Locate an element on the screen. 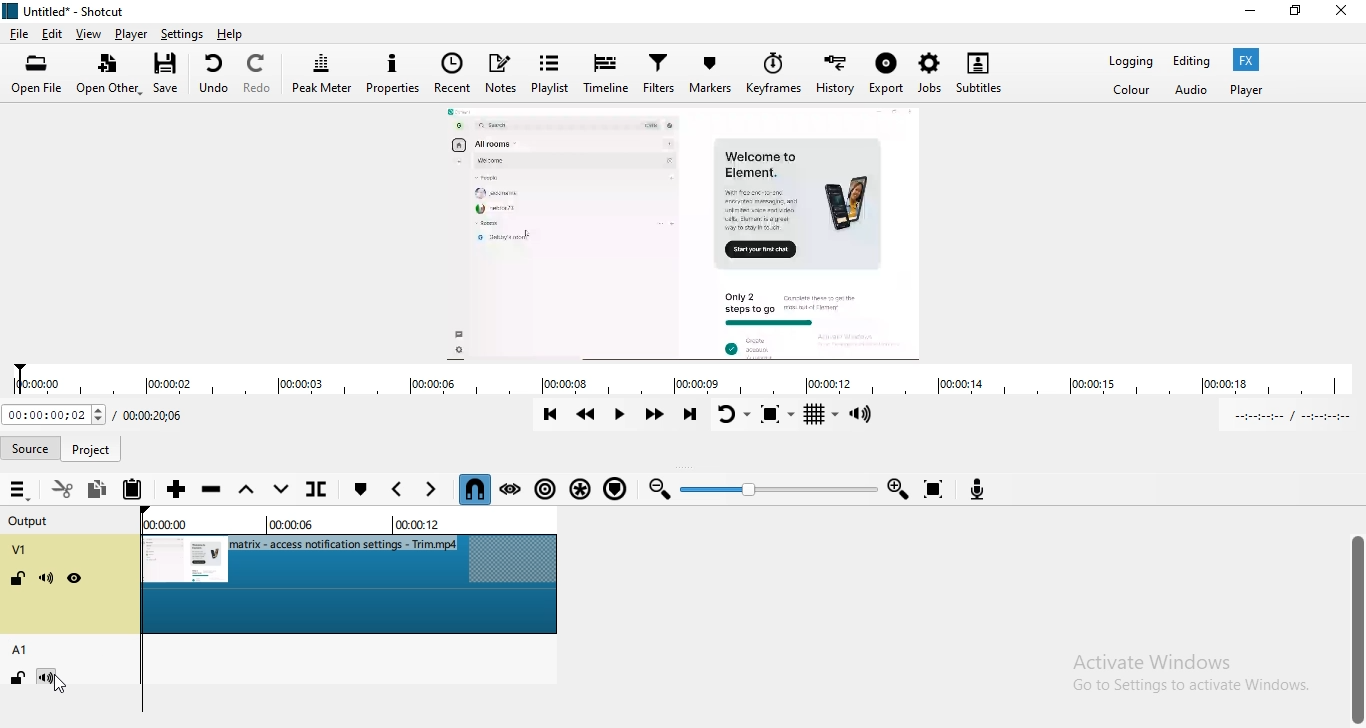 The height and width of the screenshot is (728, 1366). Minimise is located at coordinates (1250, 10).